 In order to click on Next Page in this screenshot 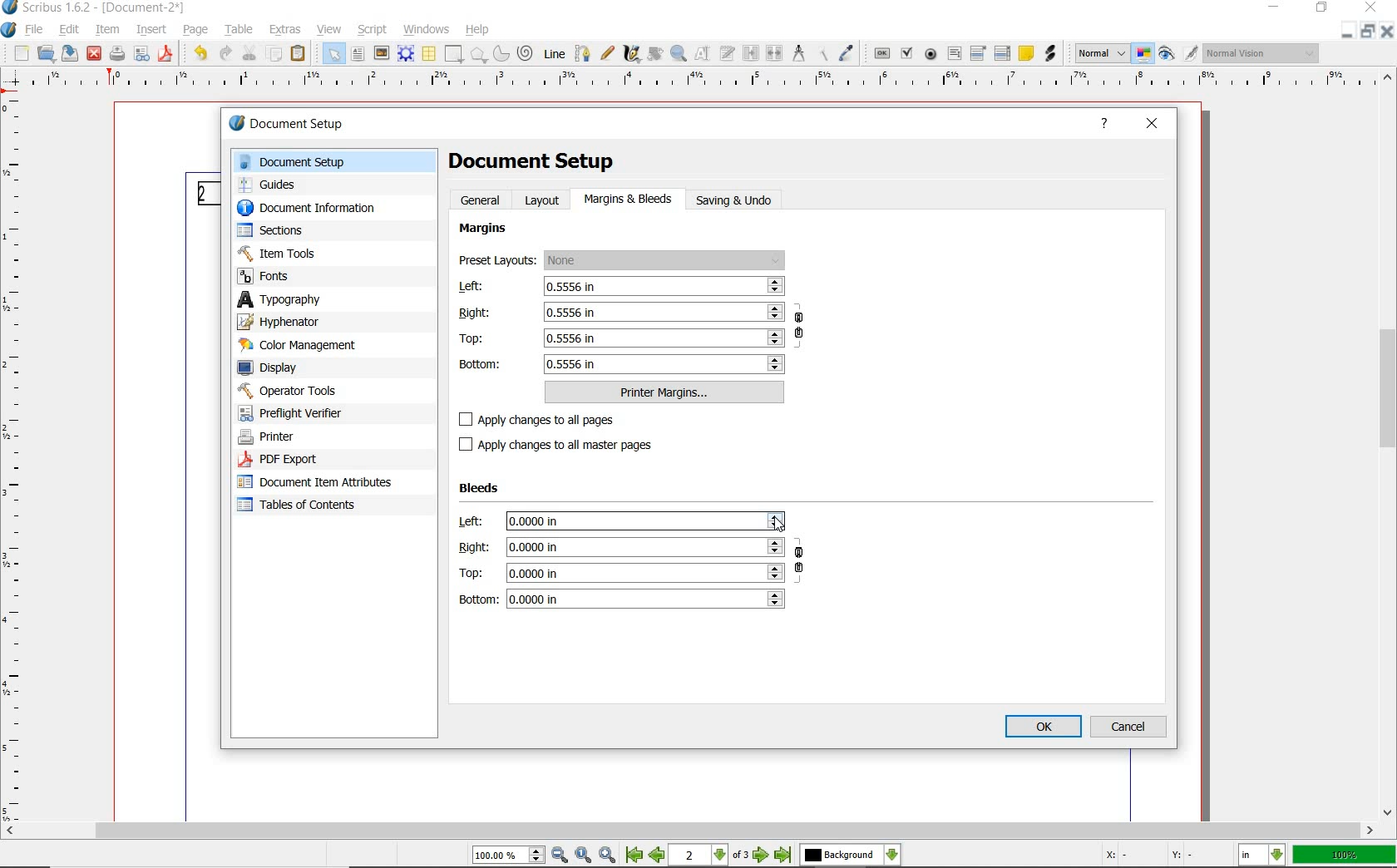, I will do `click(762, 856)`.